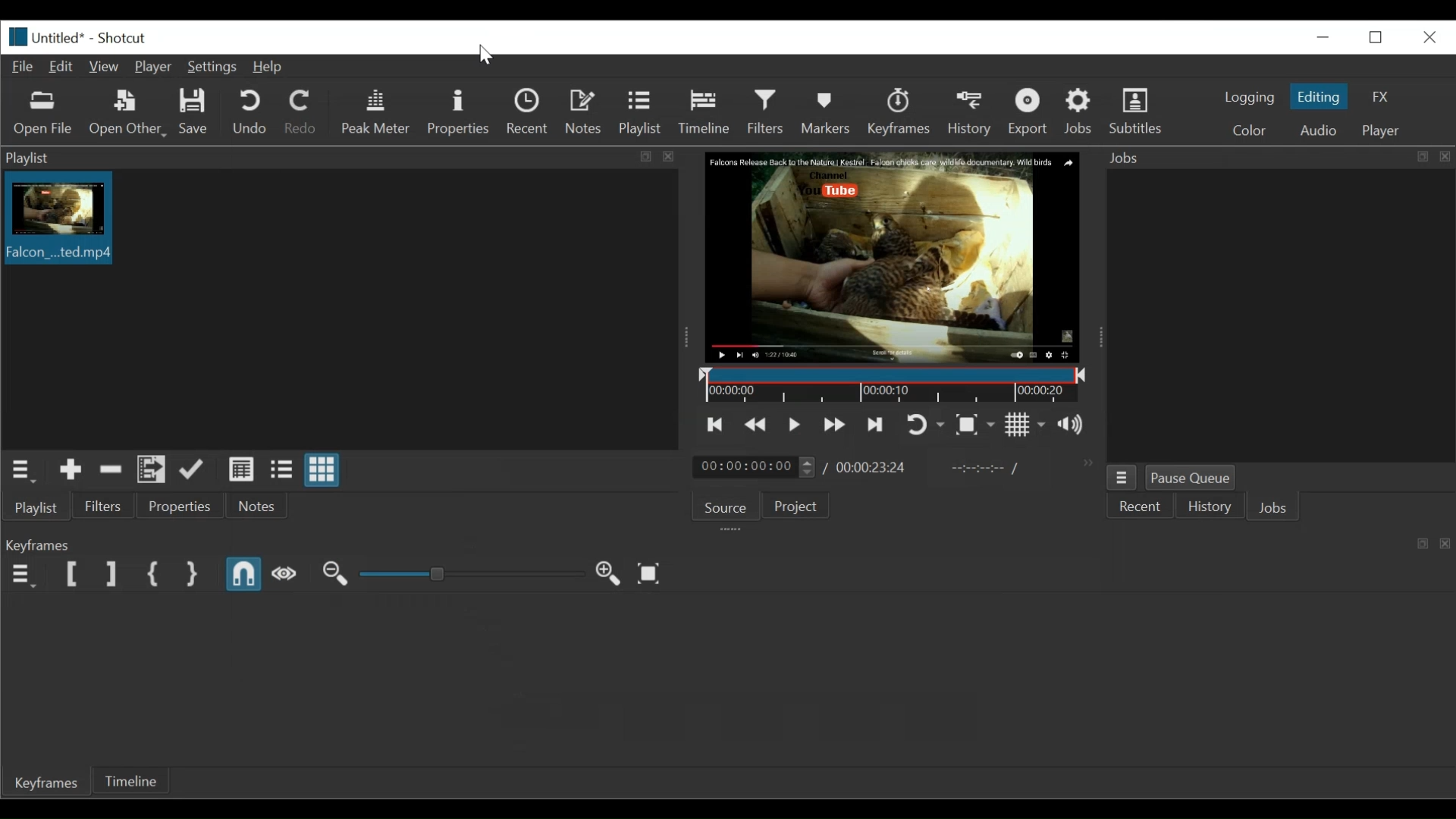 This screenshot has height=819, width=1456. Describe the element at coordinates (193, 113) in the screenshot. I see `Save` at that location.